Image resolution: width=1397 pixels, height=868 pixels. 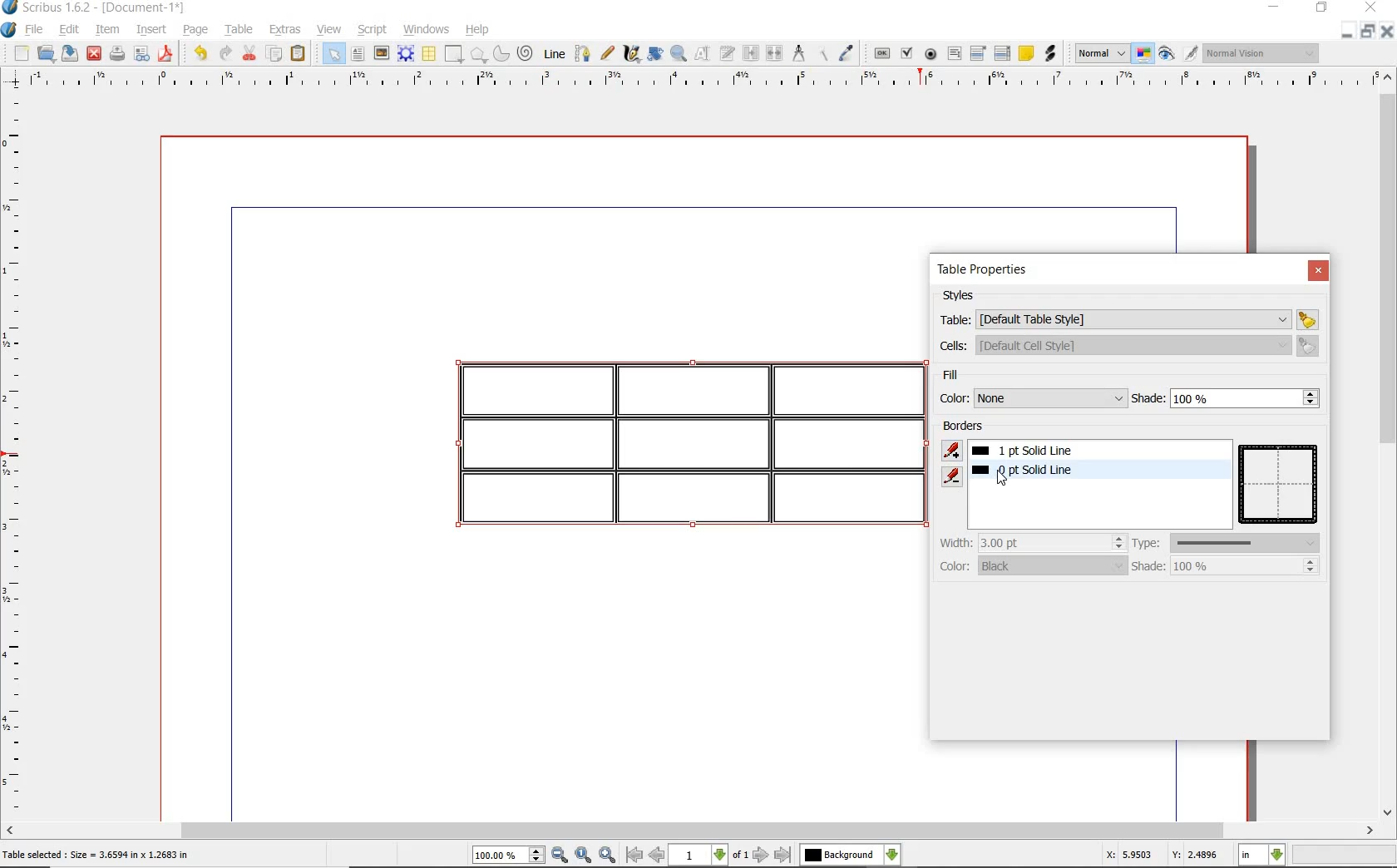 What do you see at coordinates (225, 54) in the screenshot?
I see `redo` at bounding box center [225, 54].